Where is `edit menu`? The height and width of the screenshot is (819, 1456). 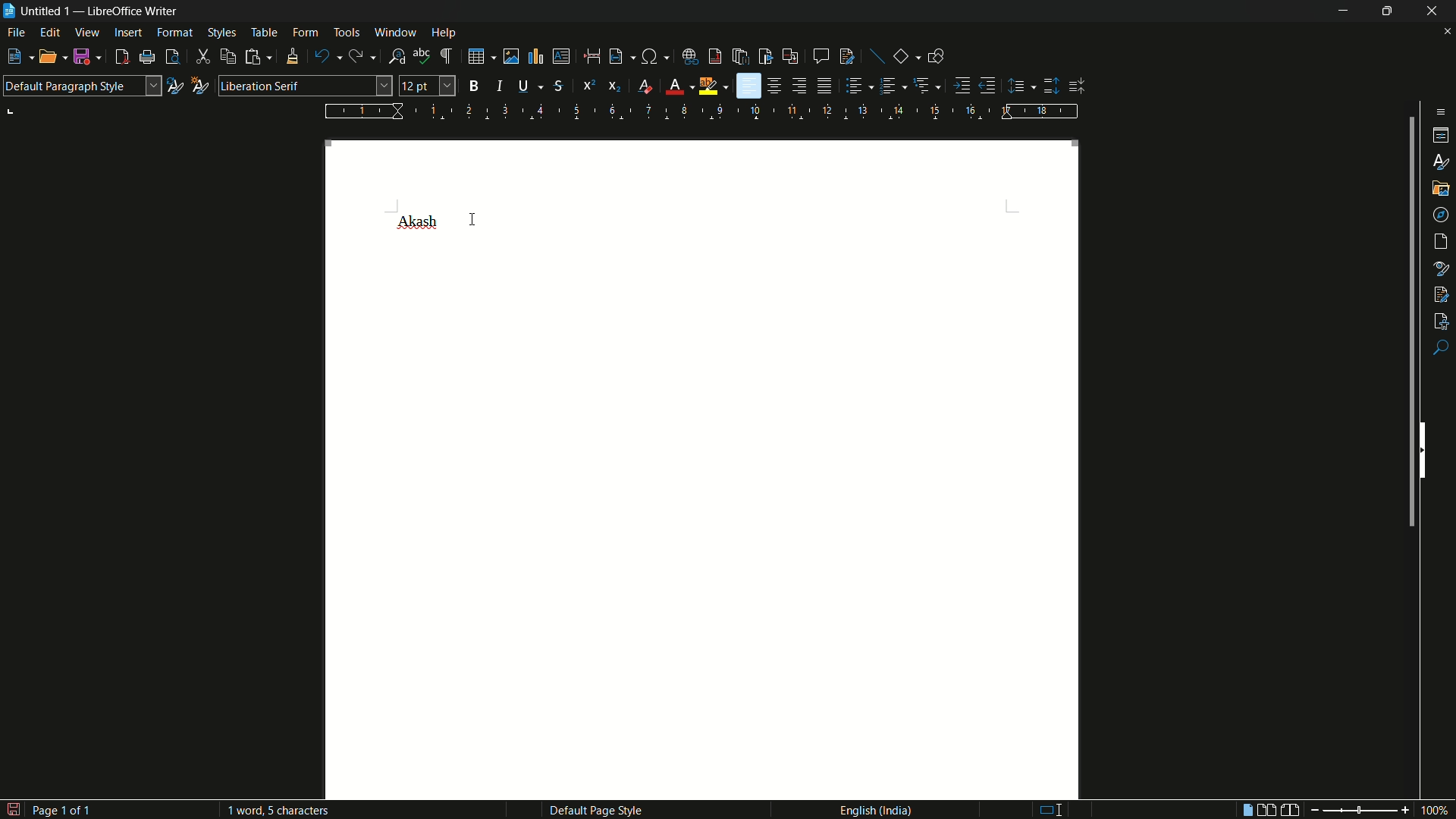
edit menu is located at coordinates (52, 33).